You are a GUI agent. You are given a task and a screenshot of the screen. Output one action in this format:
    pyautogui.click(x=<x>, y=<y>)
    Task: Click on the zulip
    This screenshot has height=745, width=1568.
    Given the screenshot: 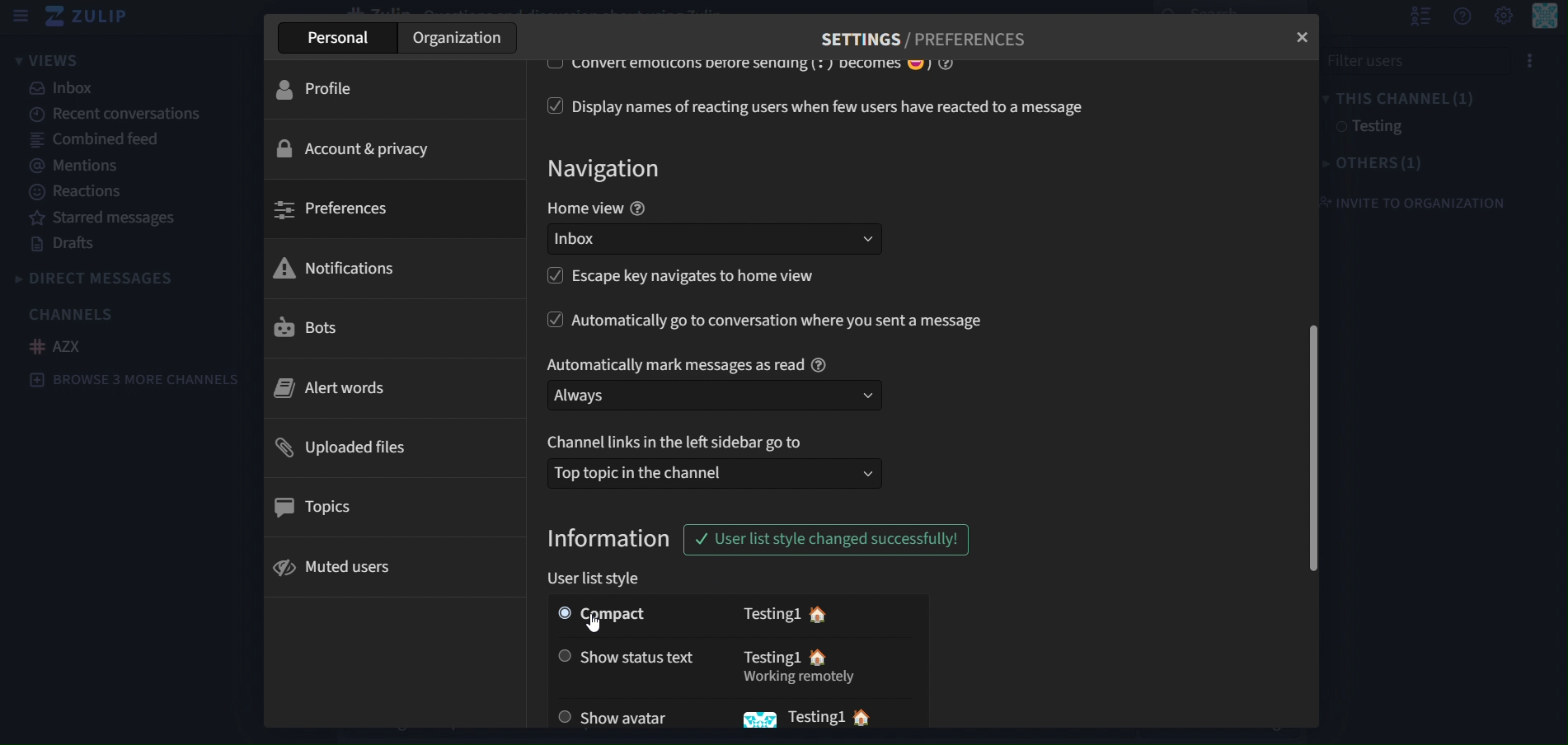 What is the action you would take?
    pyautogui.click(x=89, y=17)
    